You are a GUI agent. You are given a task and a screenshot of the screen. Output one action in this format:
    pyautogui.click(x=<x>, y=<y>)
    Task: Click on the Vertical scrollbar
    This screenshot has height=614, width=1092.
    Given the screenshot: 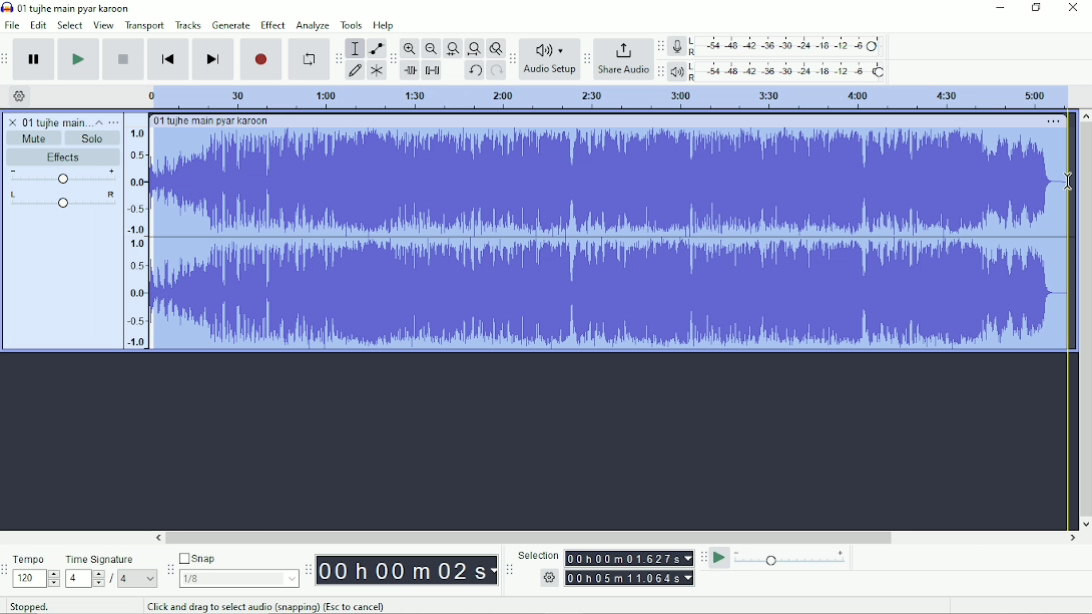 What is the action you would take?
    pyautogui.click(x=1085, y=319)
    